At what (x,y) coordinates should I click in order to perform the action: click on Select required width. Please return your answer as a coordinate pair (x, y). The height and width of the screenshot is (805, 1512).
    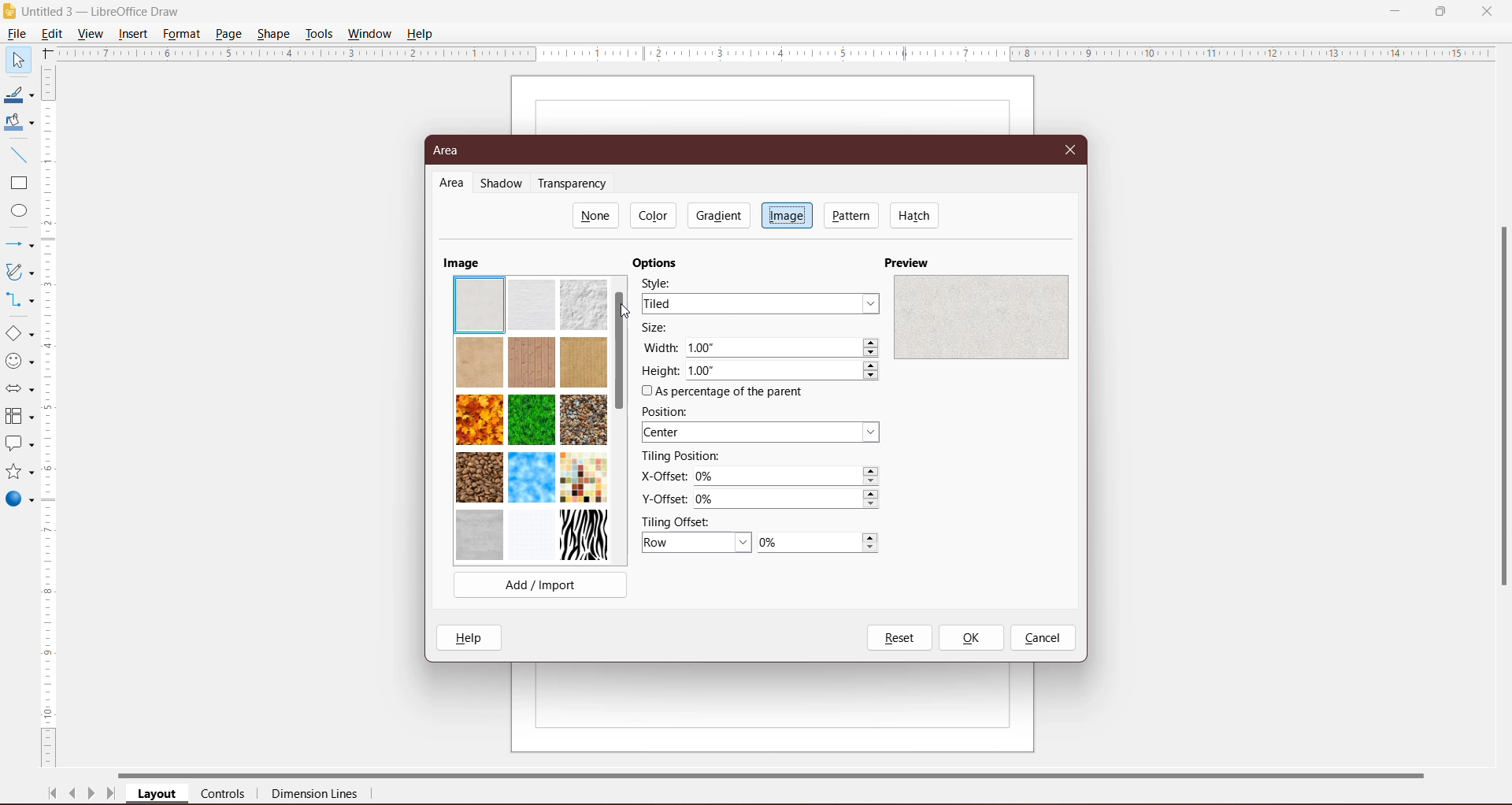
    Looking at the image, I should click on (783, 348).